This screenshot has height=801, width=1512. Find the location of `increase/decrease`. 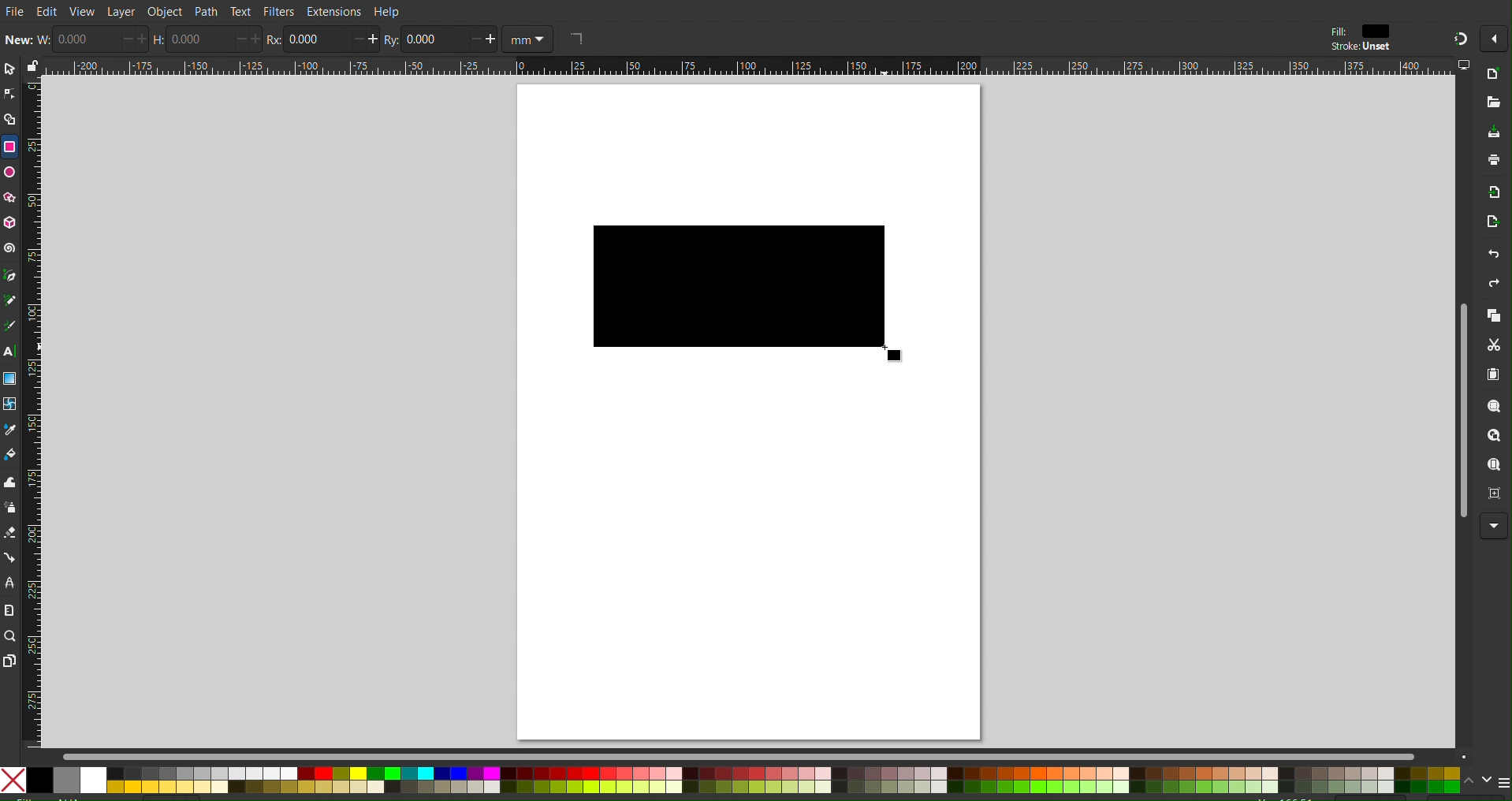

increase/decrease is located at coordinates (482, 39).